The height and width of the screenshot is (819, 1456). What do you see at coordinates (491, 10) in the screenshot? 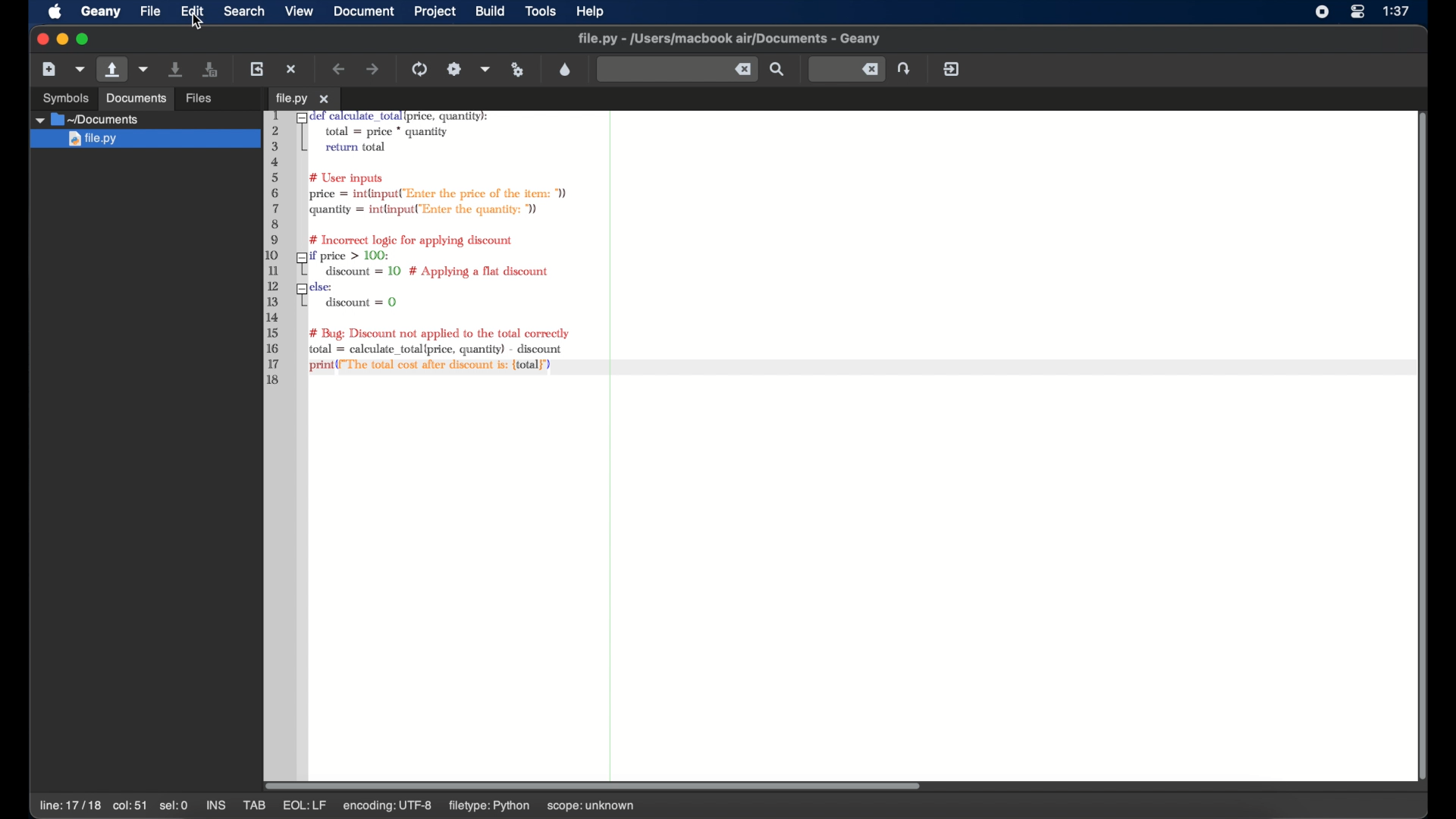
I see `build` at bounding box center [491, 10].